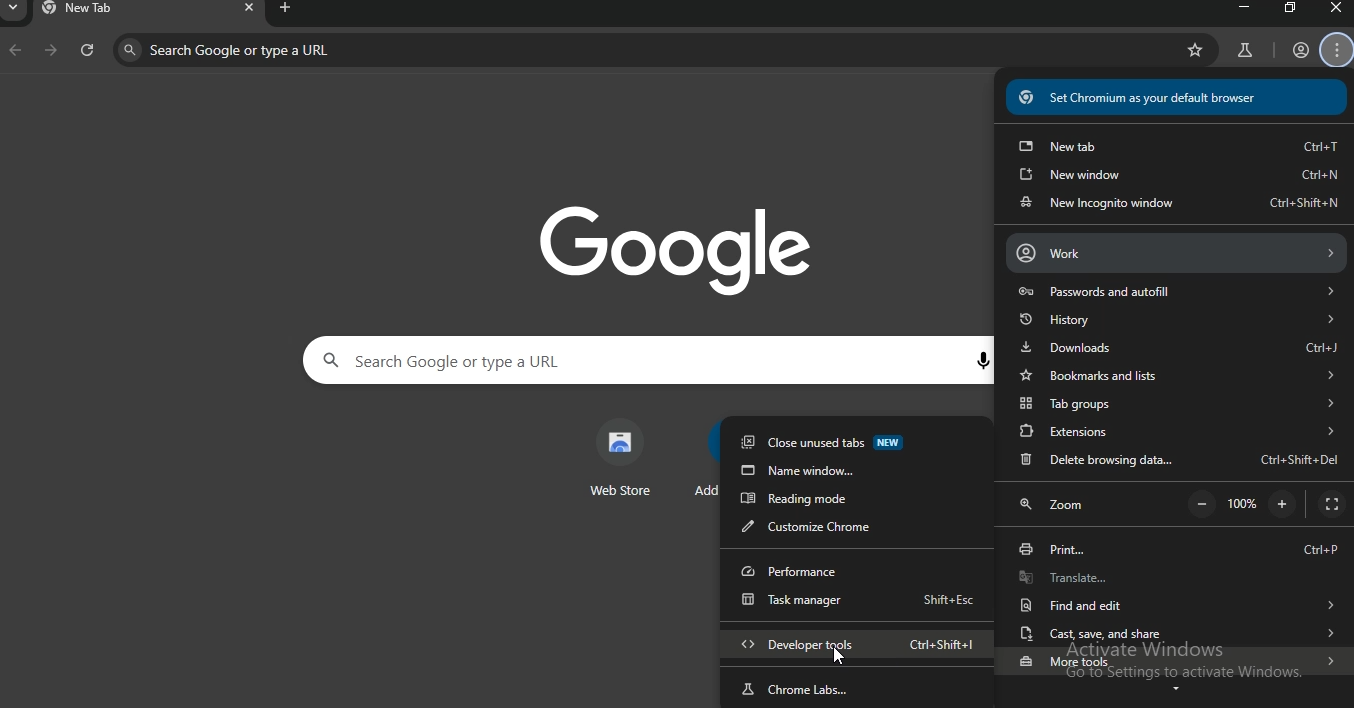 Image resolution: width=1354 pixels, height=708 pixels. What do you see at coordinates (1177, 203) in the screenshot?
I see `new incognito window` at bounding box center [1177, 203].